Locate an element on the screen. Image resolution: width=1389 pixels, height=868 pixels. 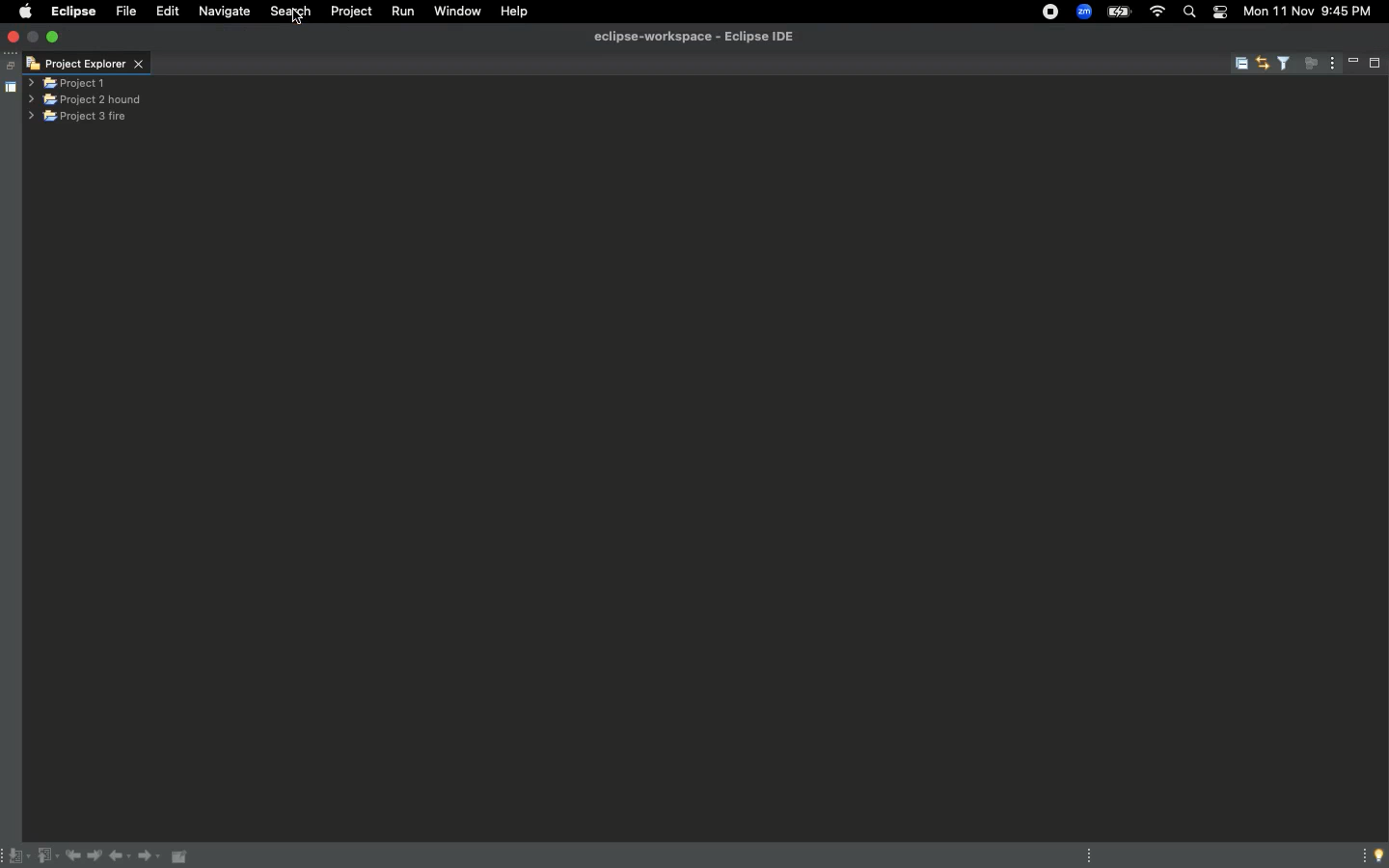
Tip of the day is located at coordinates (1374, 855).